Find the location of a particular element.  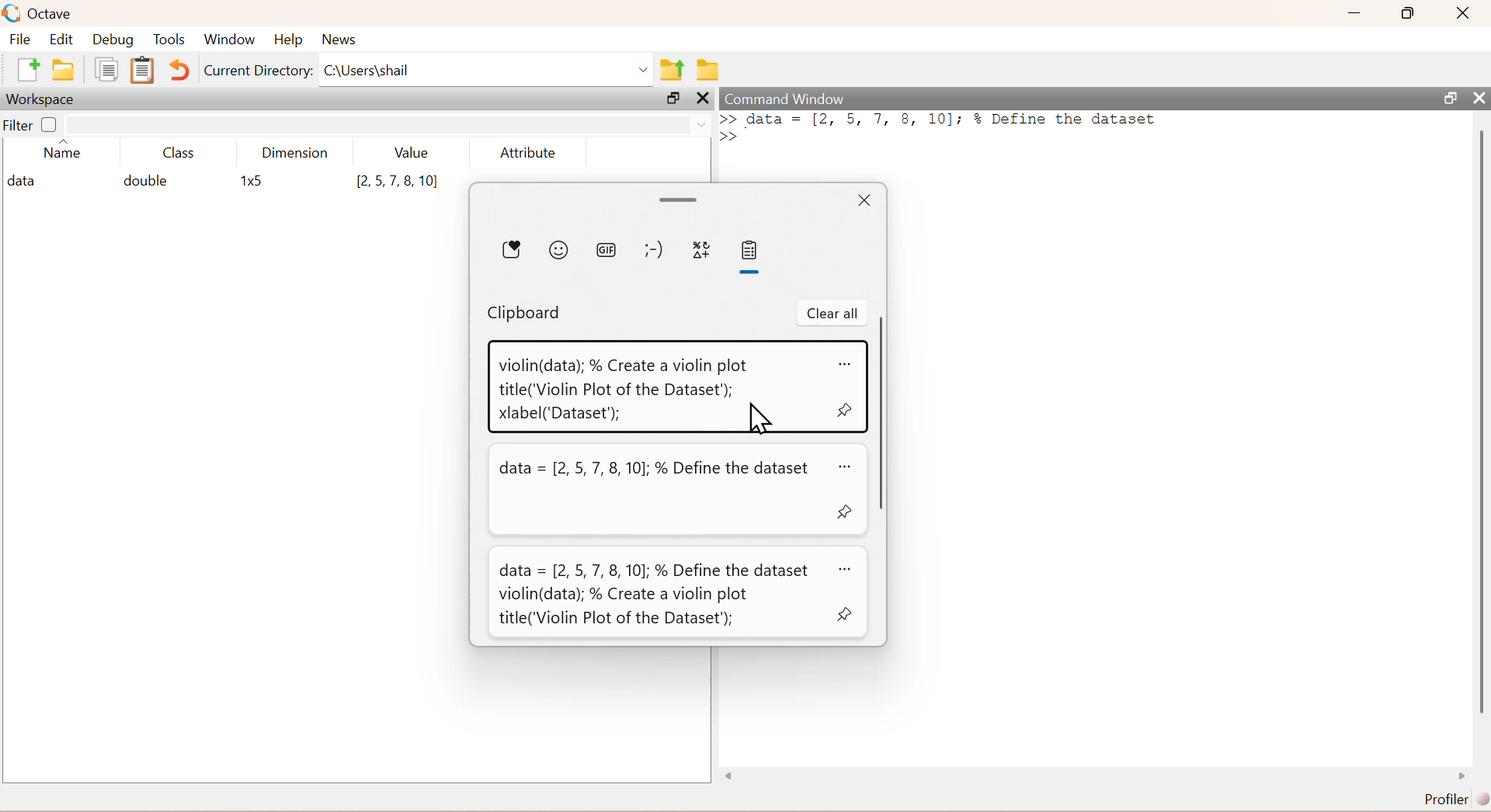

octave is located at coordinates (53, 15).